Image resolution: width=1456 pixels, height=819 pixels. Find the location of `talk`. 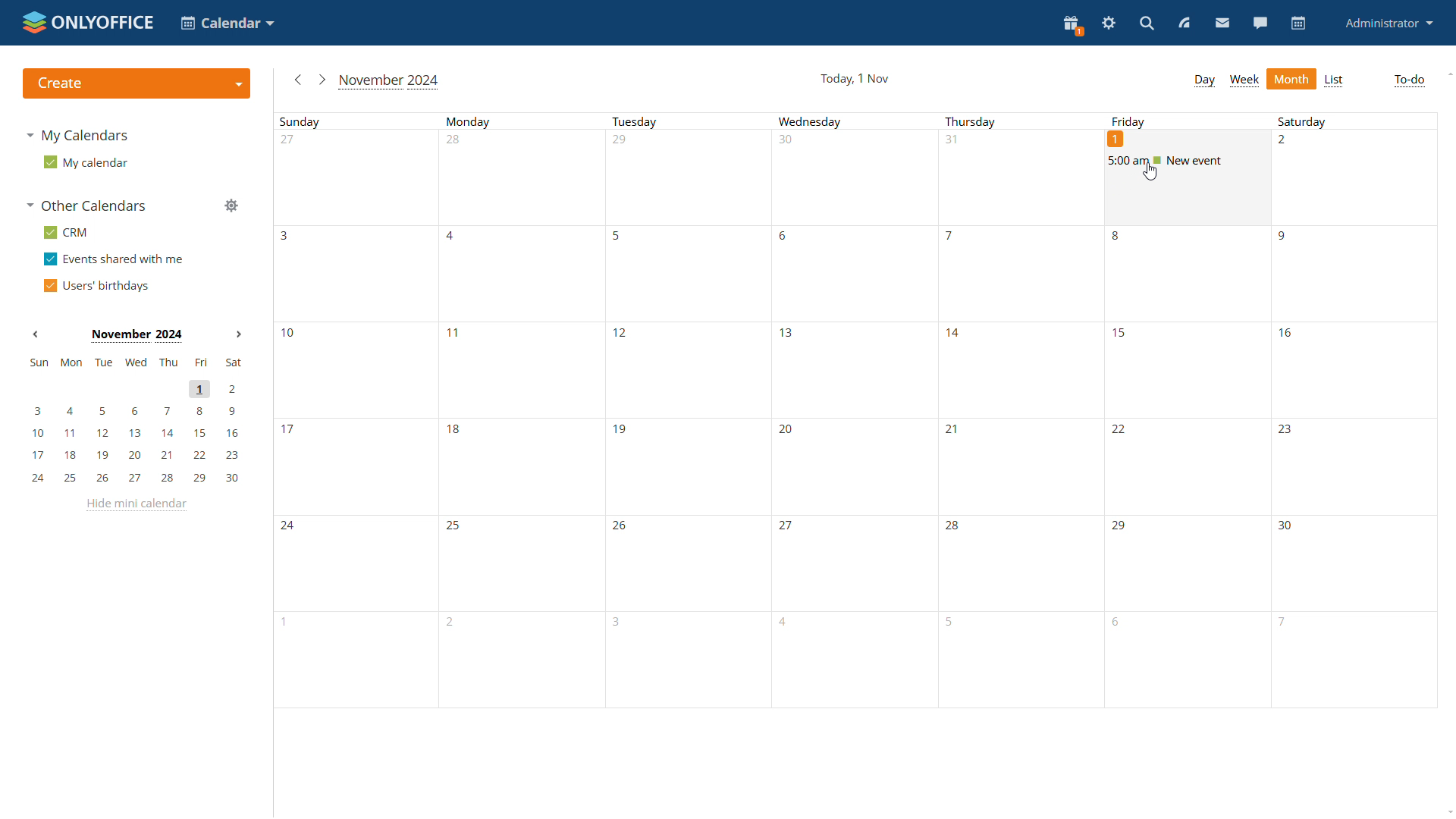

talk is located at coordinates (1260, 23).